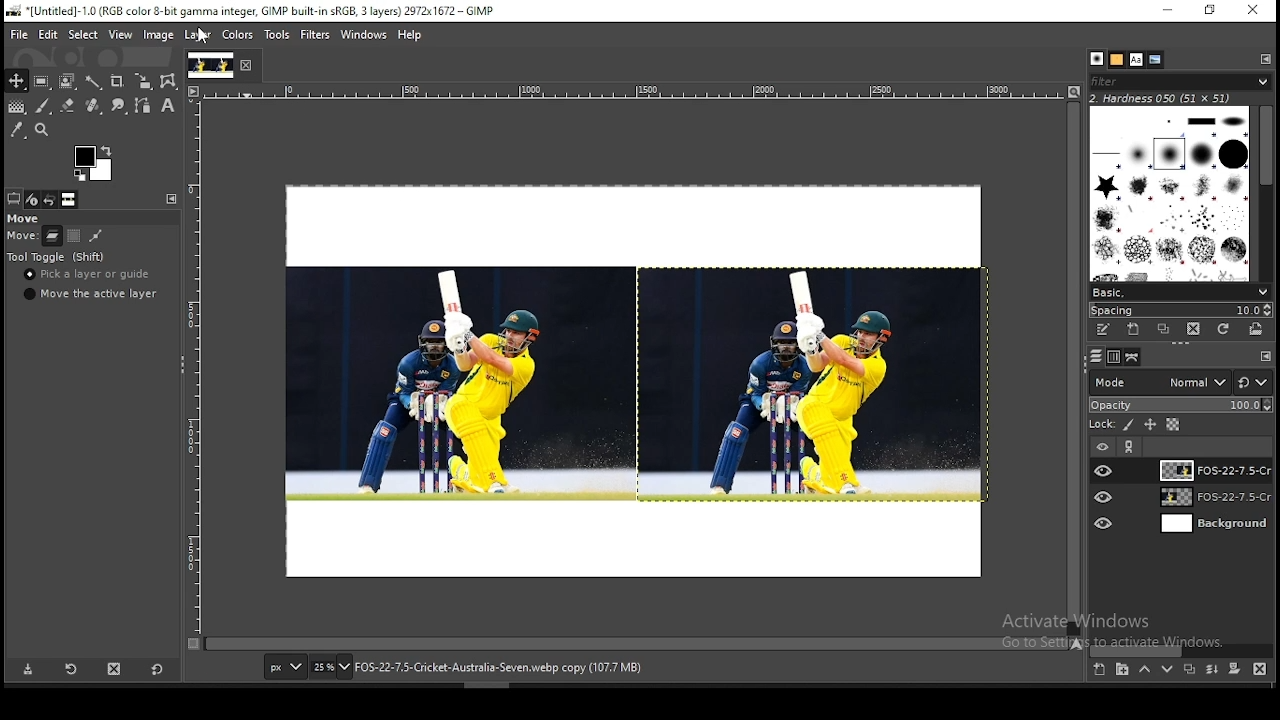 The width and height of the screenshot is (1280, 720). Describe the element at coordinates (50, 34) in the screenshot. I see `edit` at that location.